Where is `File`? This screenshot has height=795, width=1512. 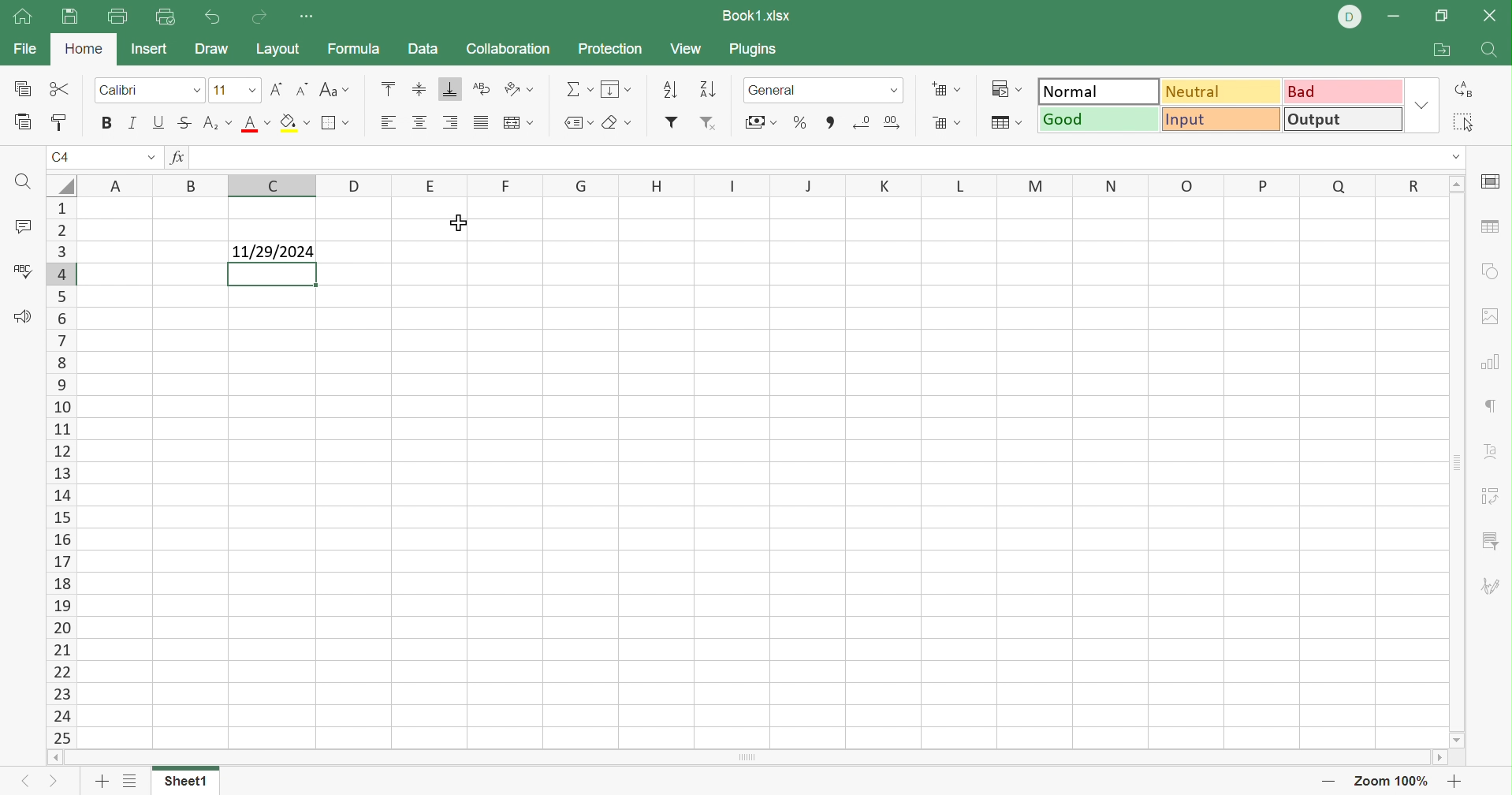 File is located at coordinates (23, 50).